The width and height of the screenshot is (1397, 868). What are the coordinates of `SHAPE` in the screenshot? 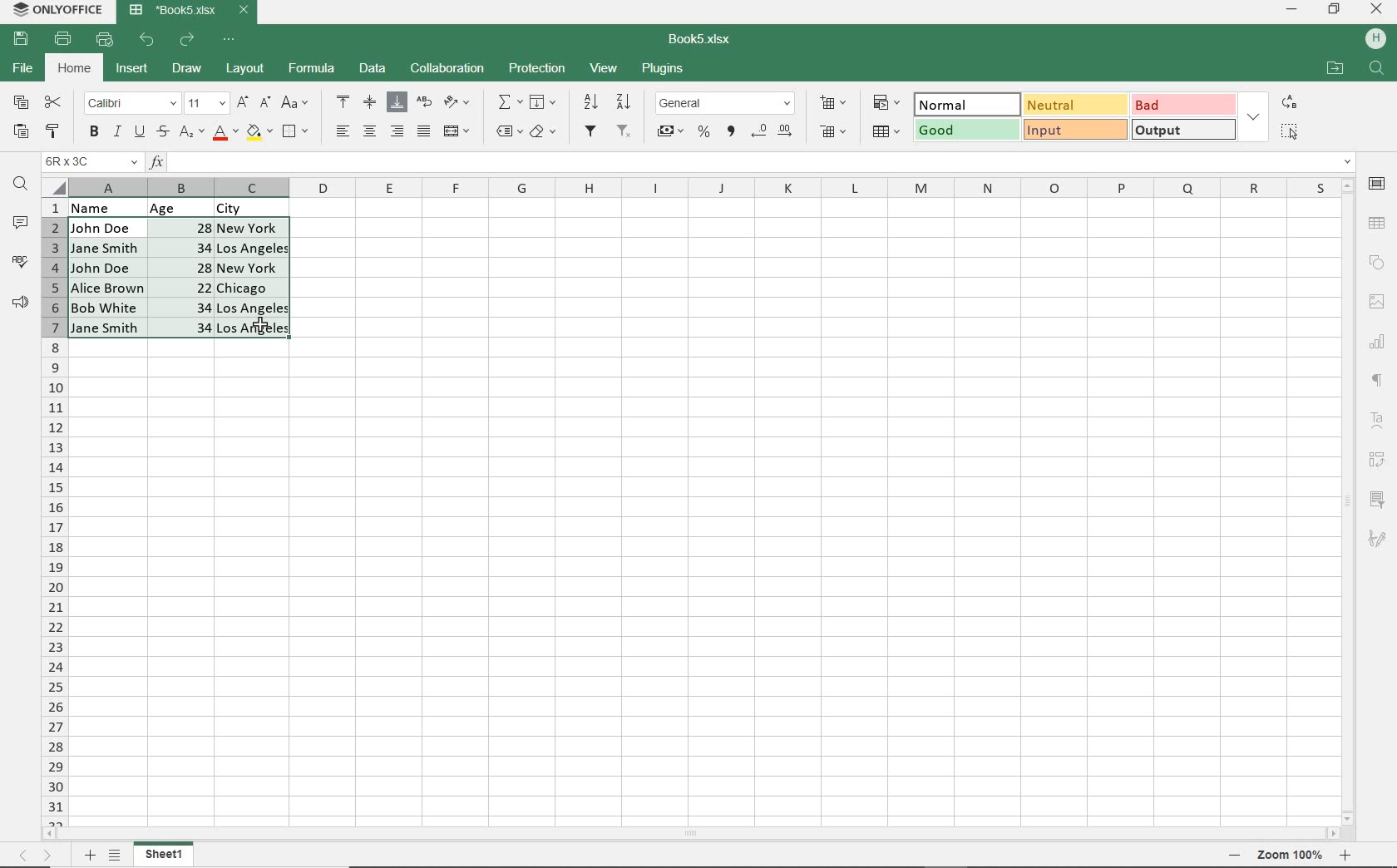 It's located at (1376, 263).